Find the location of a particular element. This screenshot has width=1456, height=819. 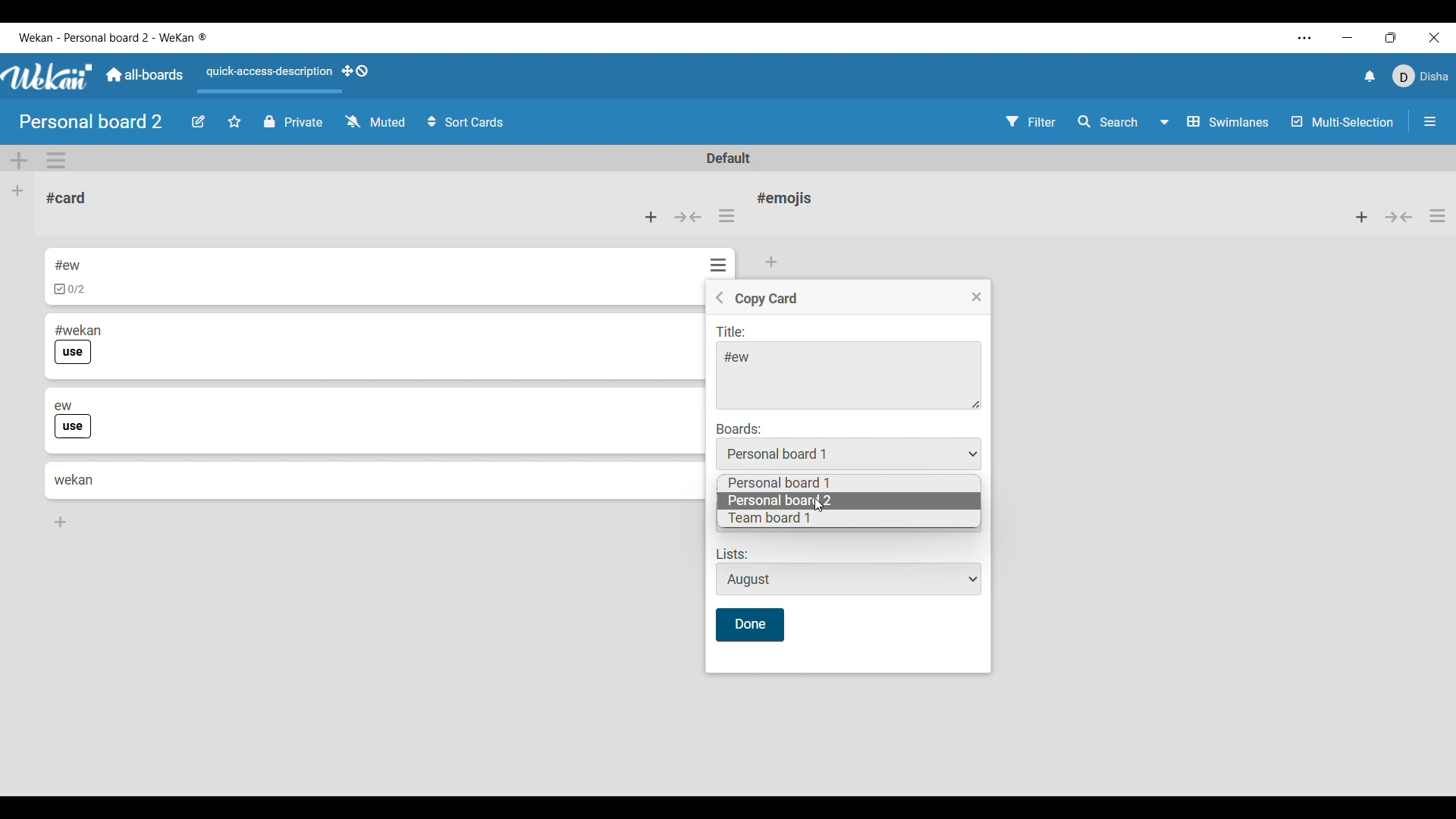

Current account is located at coordinates (1421, 76).